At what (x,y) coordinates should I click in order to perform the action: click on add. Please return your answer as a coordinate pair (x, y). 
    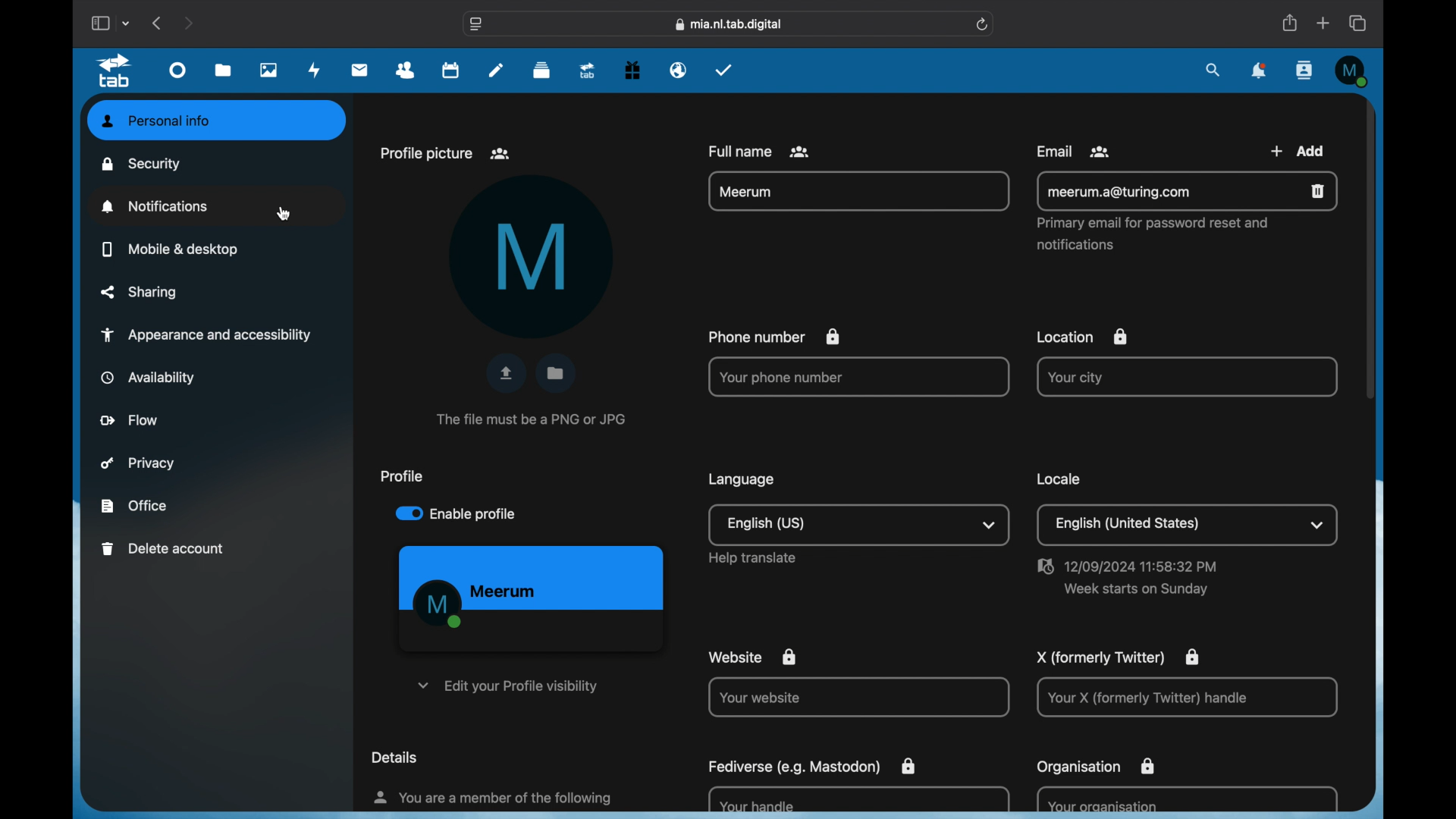
    Looking at the image, I should click on (1298, 150).